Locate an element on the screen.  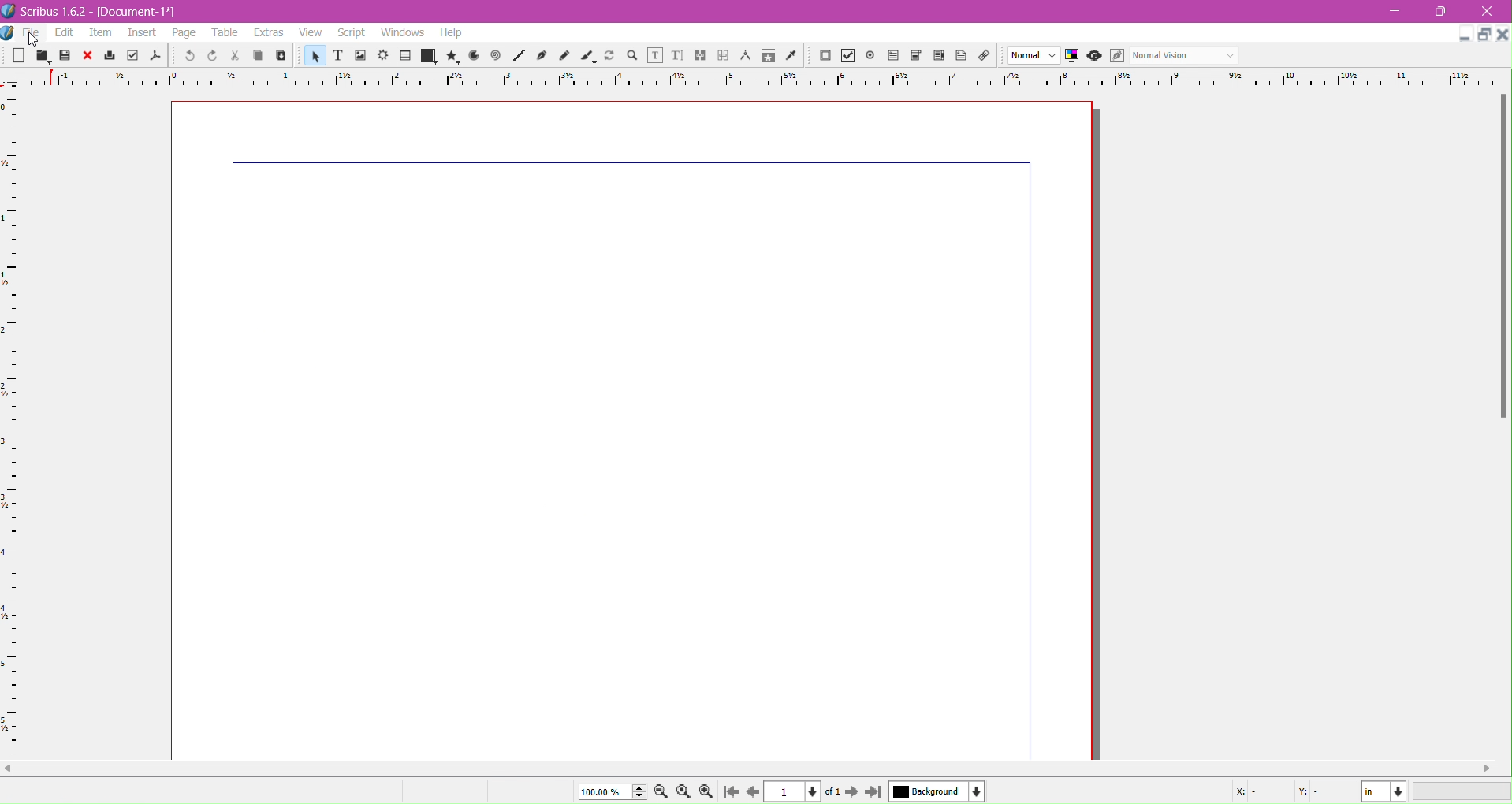
background is located at coordinates (937, 791).